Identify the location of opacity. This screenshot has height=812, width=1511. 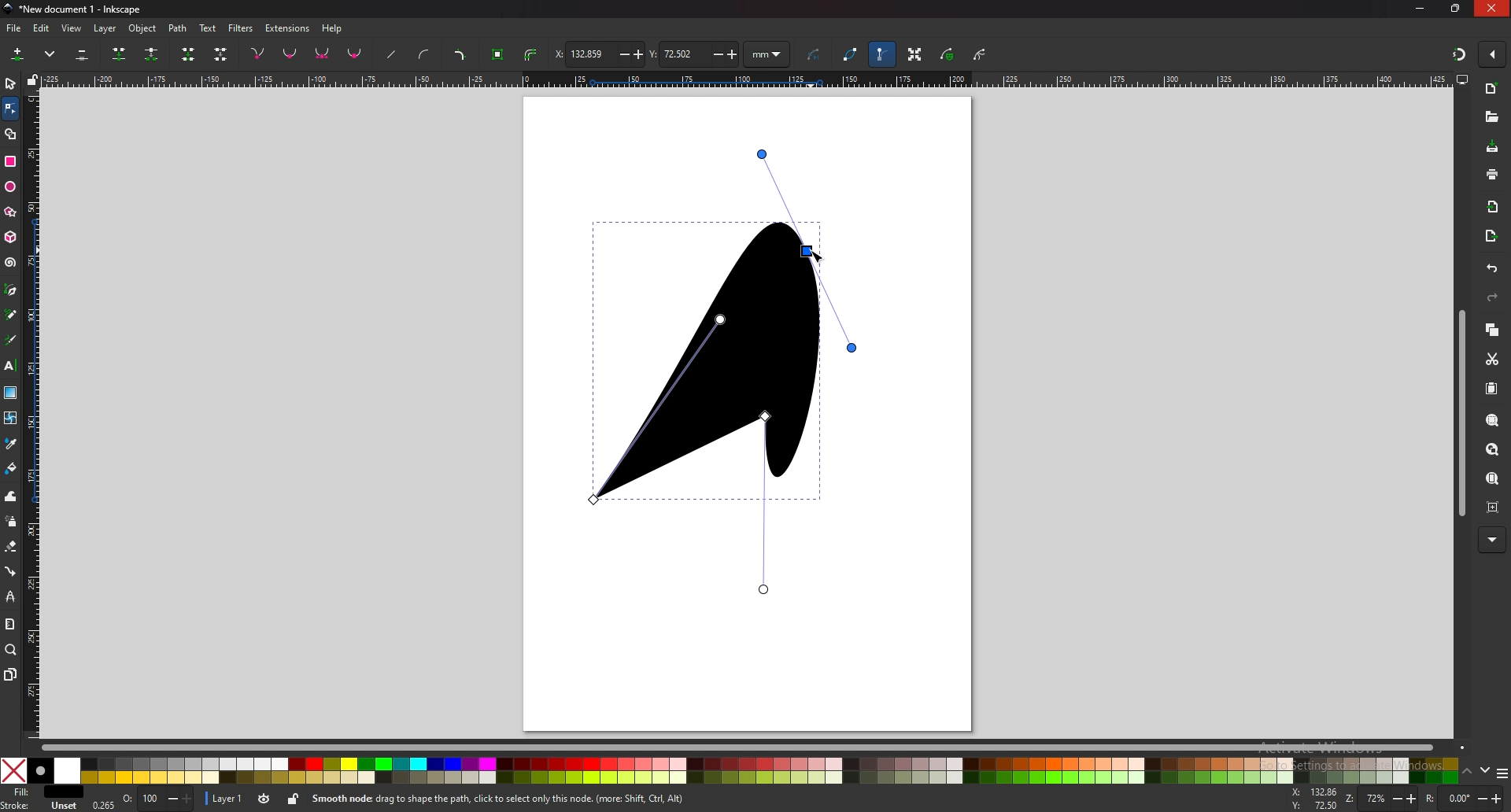
(157, 799).